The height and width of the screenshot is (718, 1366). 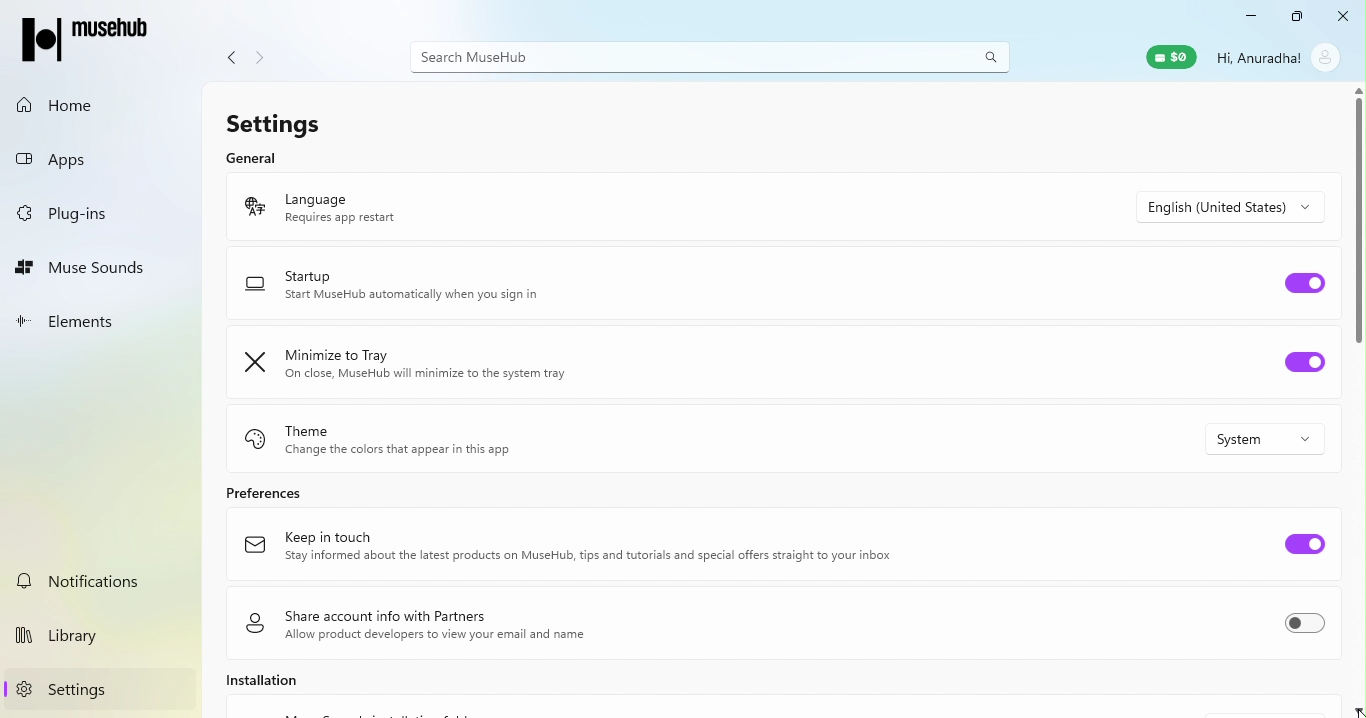 What do you see at coordinates (267, 157) in the screenshot?
I see `General` at bounding box center [267, 157].